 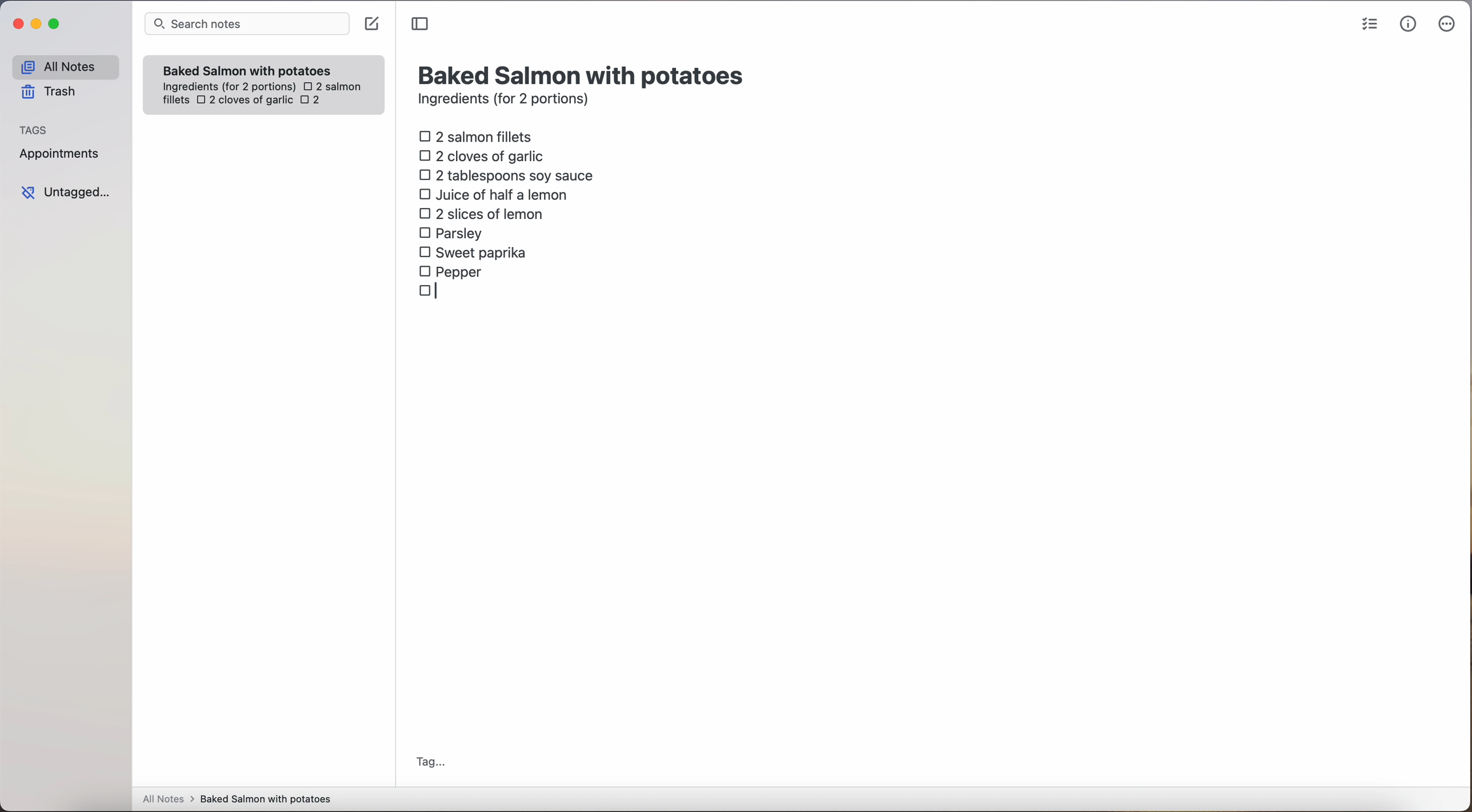 What do you see at coordinates (237, 798) in the screenshot?
I see `all notes > baked Salmon with potatoes` at bounding box center [237, 798].